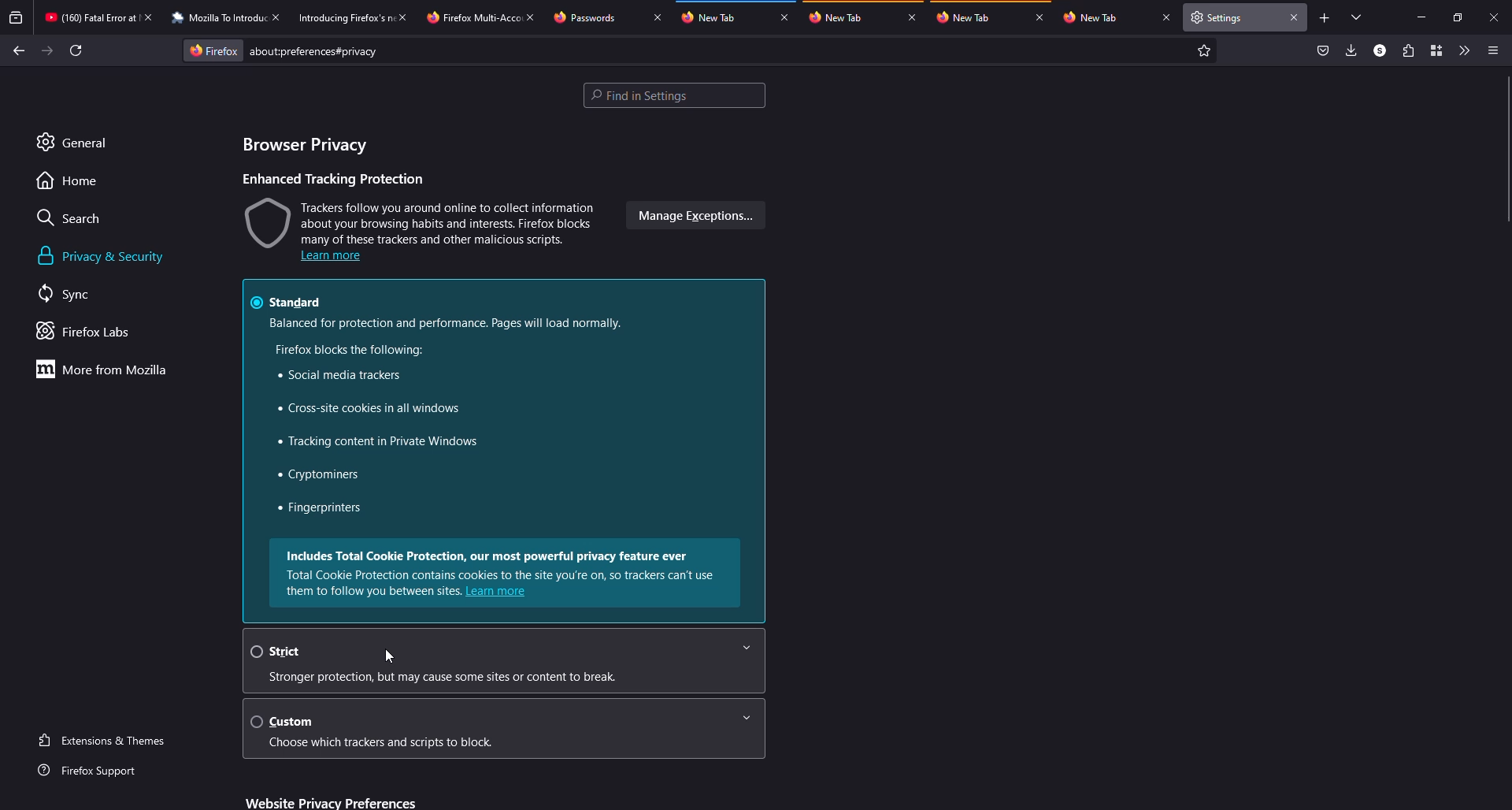  I want to click on view tab, so click(1358, 17).